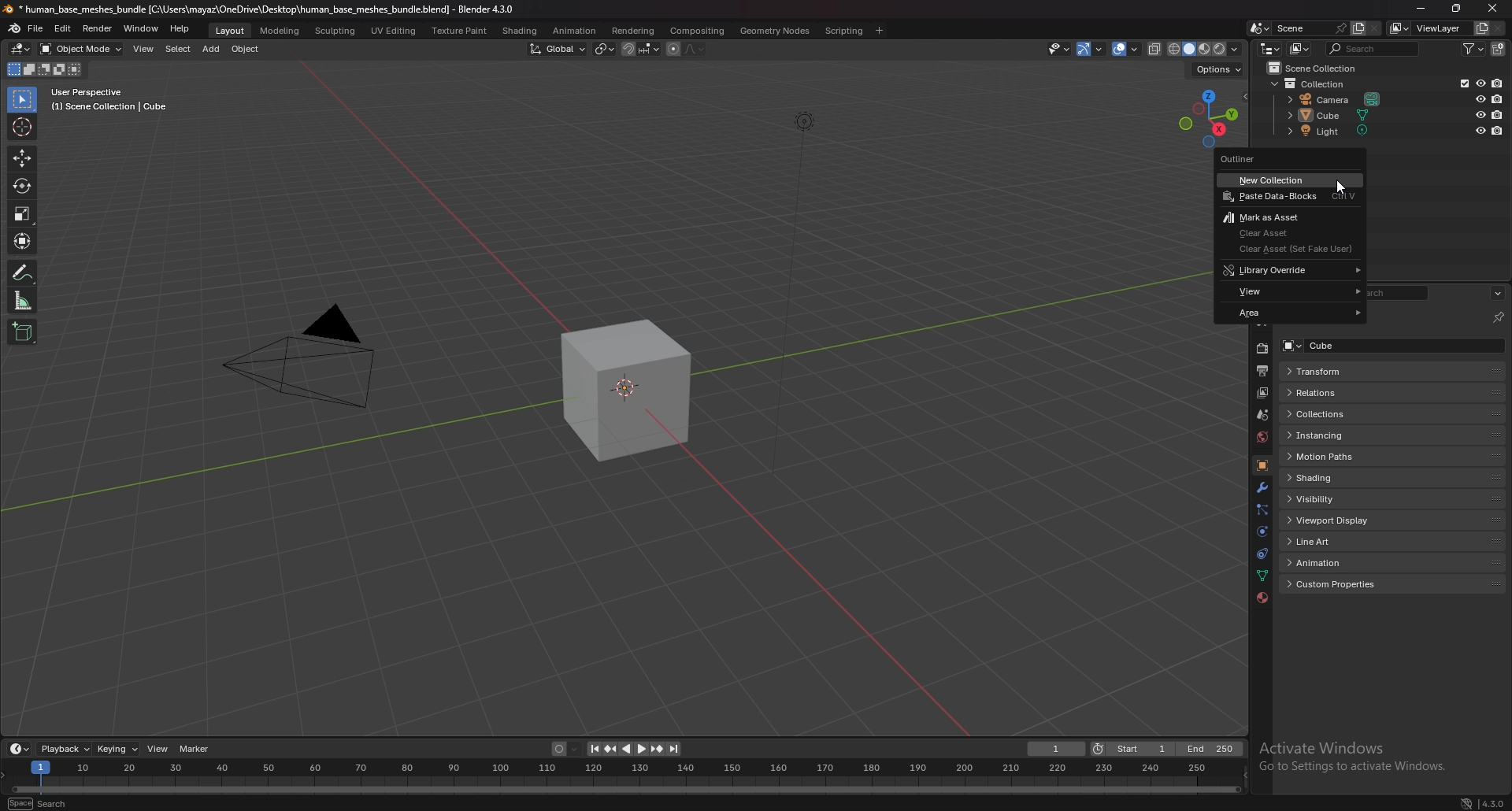 The image size is (1512, 811). Describe the element at coordinates (232, 31) in the screenshot. I see `layout` at that location.